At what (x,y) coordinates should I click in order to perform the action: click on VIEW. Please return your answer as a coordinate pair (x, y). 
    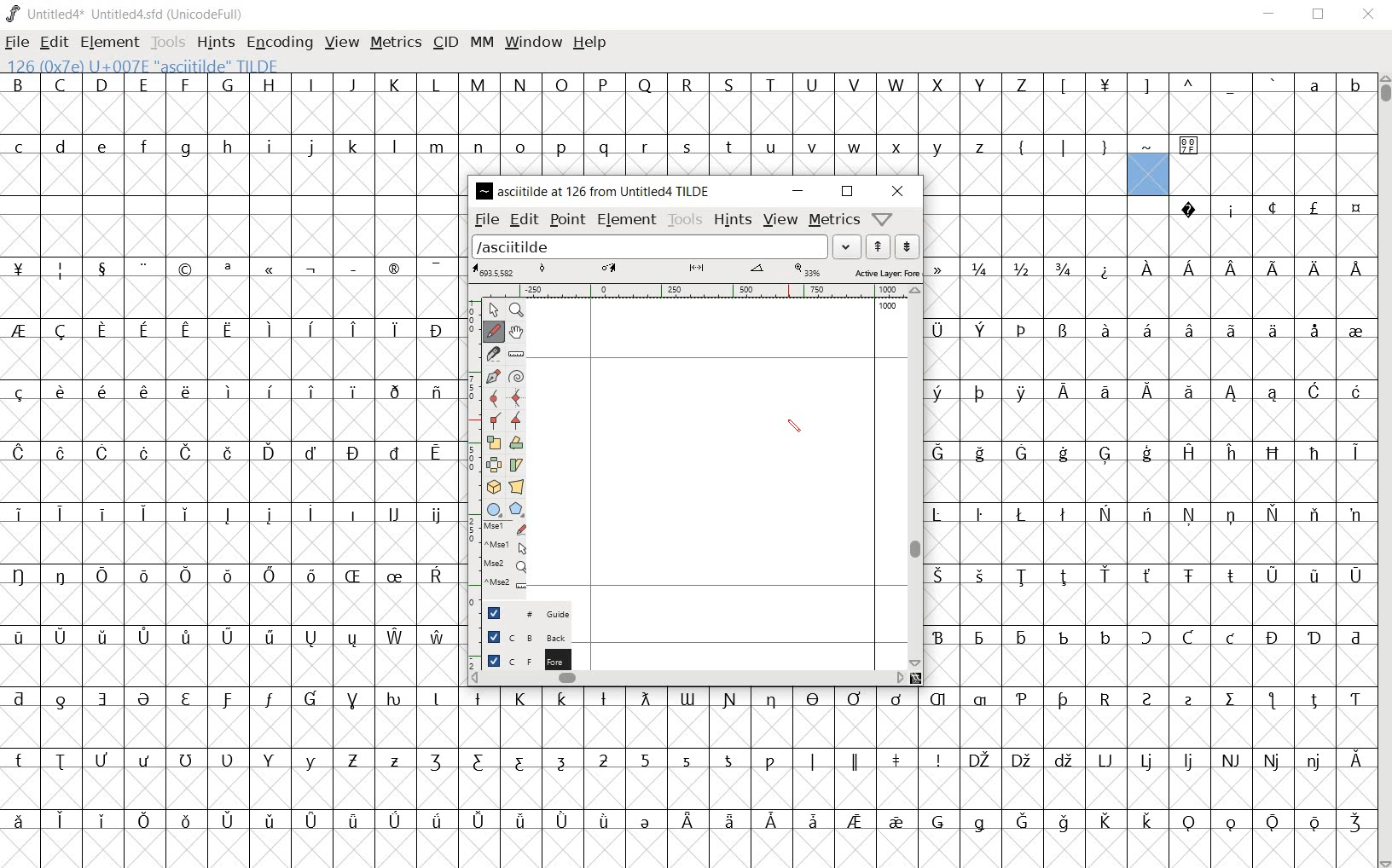
    Looking at the image, I should click on (339, 42).